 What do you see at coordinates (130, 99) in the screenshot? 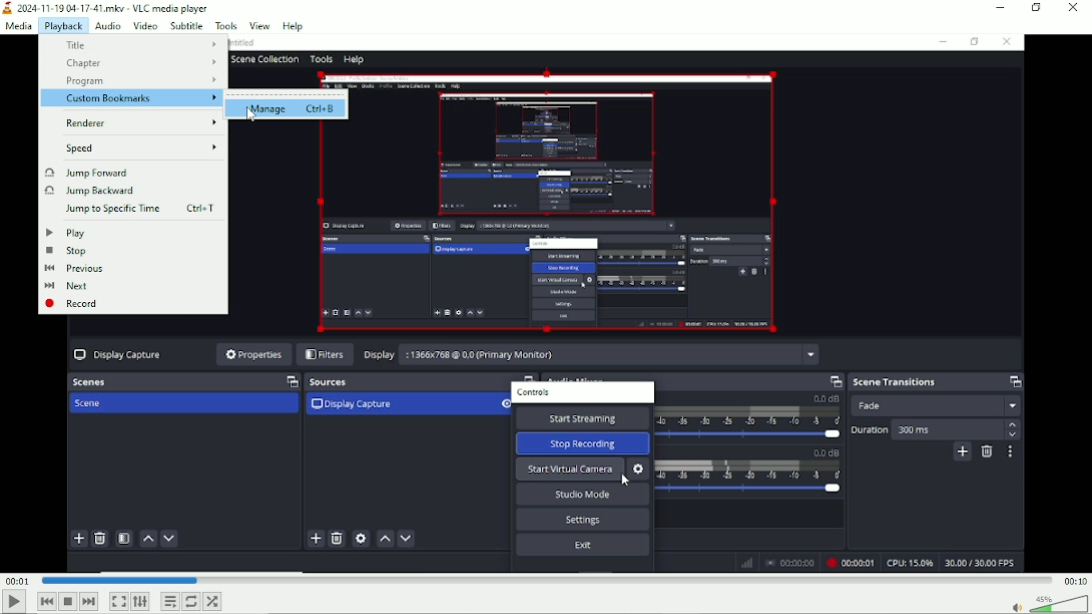
I see `Custom bookmarks` at bounding box center [130, 99].